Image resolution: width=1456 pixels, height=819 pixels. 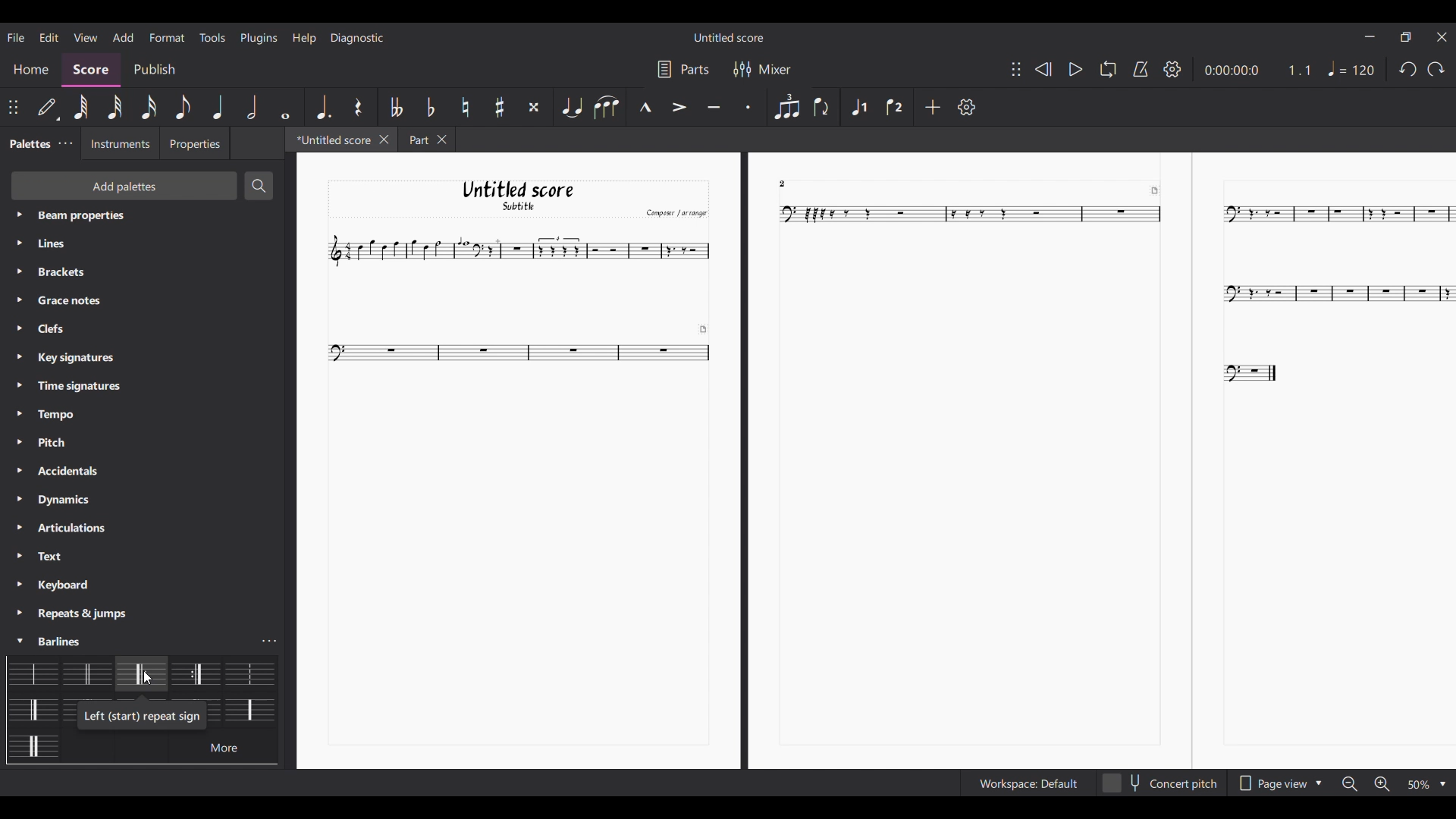 I want to click on Toggle double flat, so click(x=394, y=106).